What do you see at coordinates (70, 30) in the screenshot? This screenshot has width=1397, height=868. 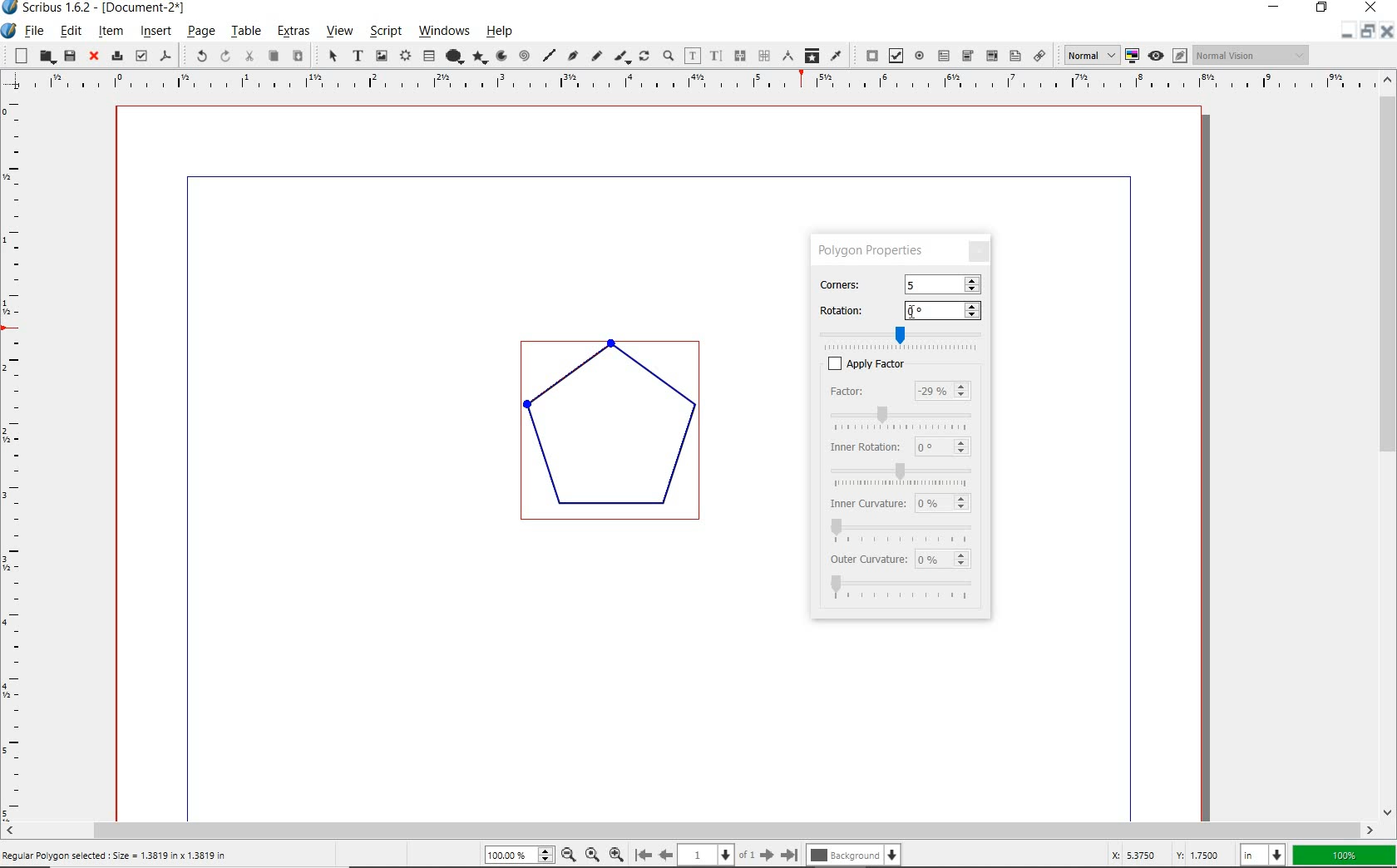 I see `edit` at bounding box center [70, 30].